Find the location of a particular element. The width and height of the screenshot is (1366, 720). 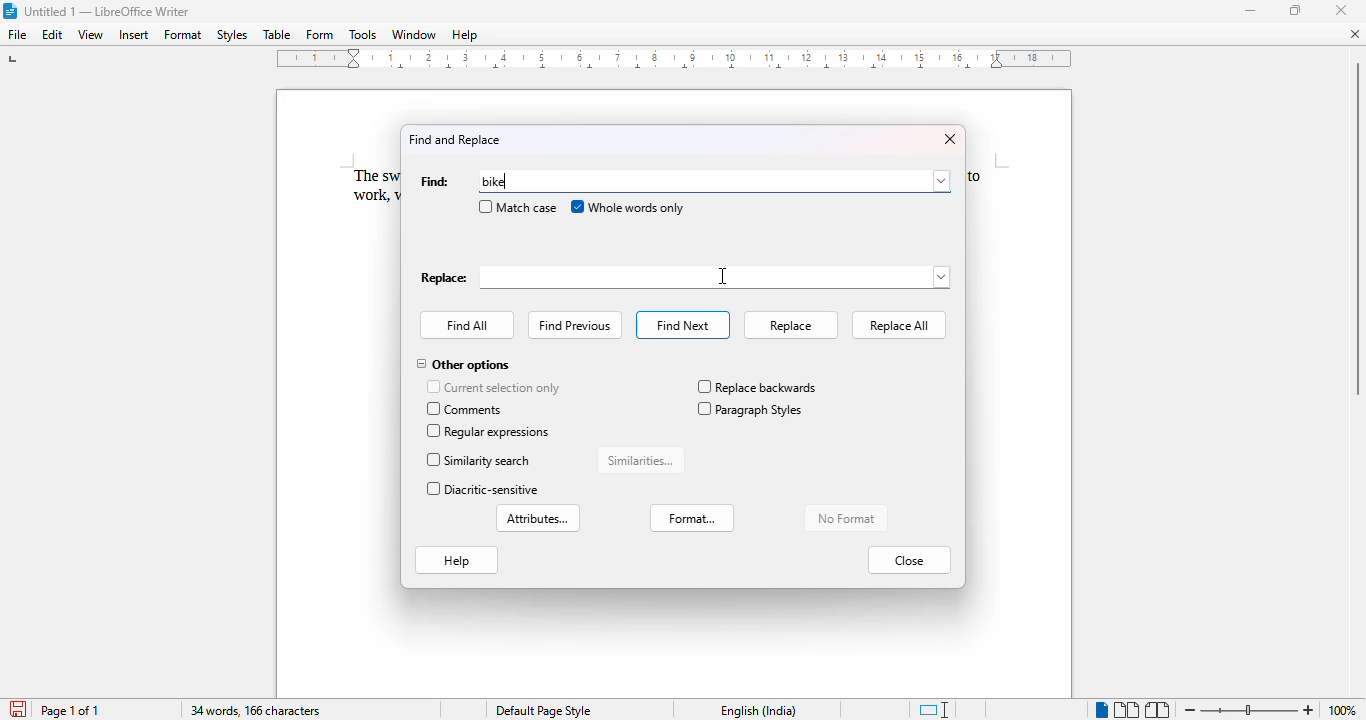

browse is located at coordinates (941, 181).